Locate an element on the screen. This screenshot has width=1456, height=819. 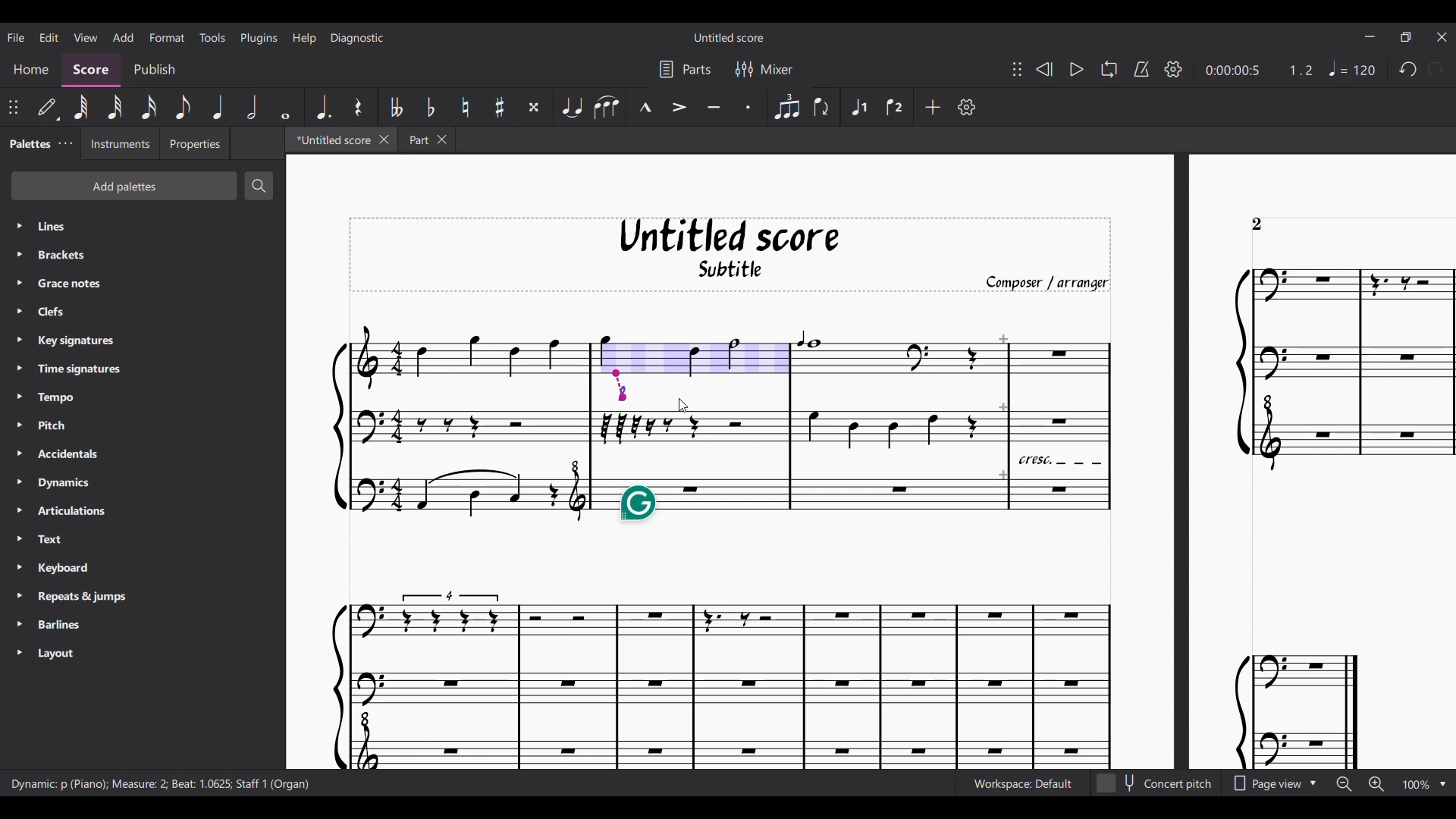
Add is located at coordinates (932, 107).